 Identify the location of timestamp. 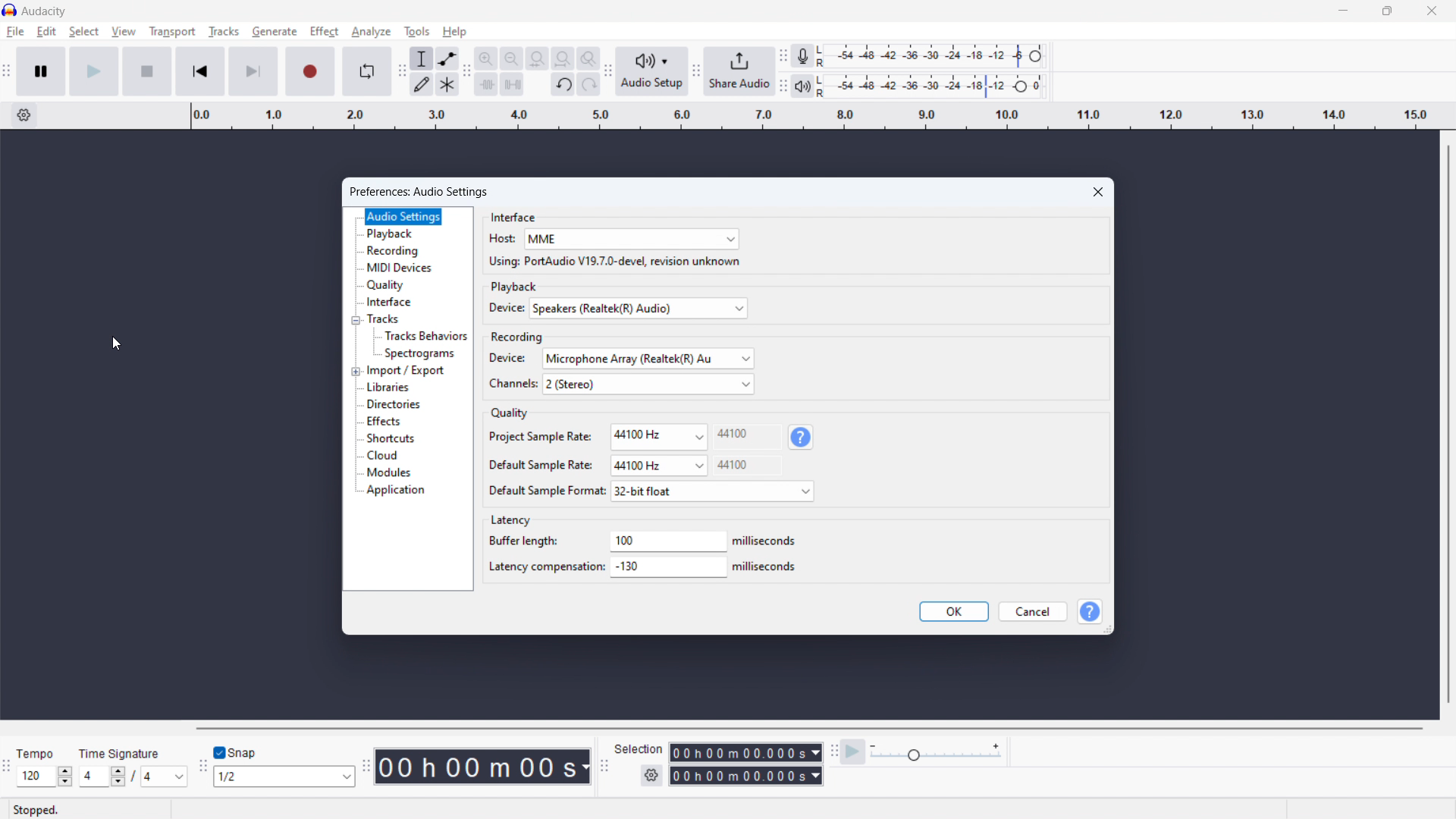
(482, 767).